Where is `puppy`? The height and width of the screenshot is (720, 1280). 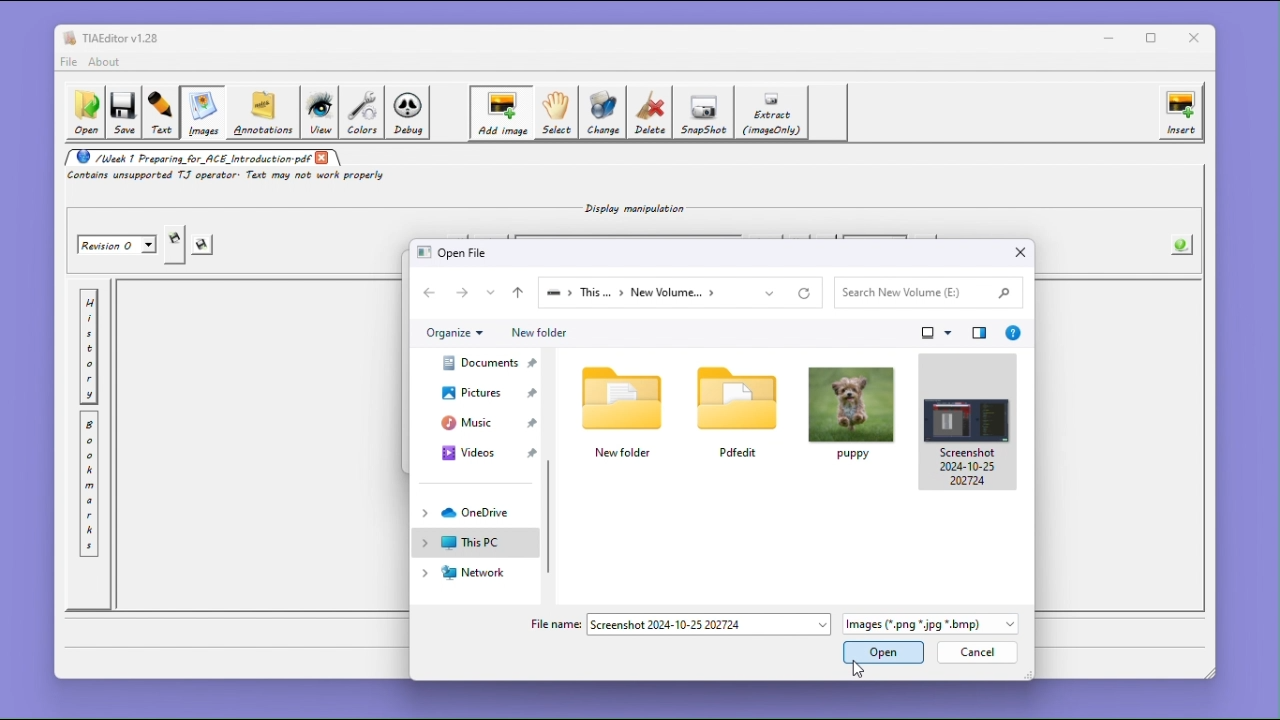 puppy is located at coordinates (851, 412).